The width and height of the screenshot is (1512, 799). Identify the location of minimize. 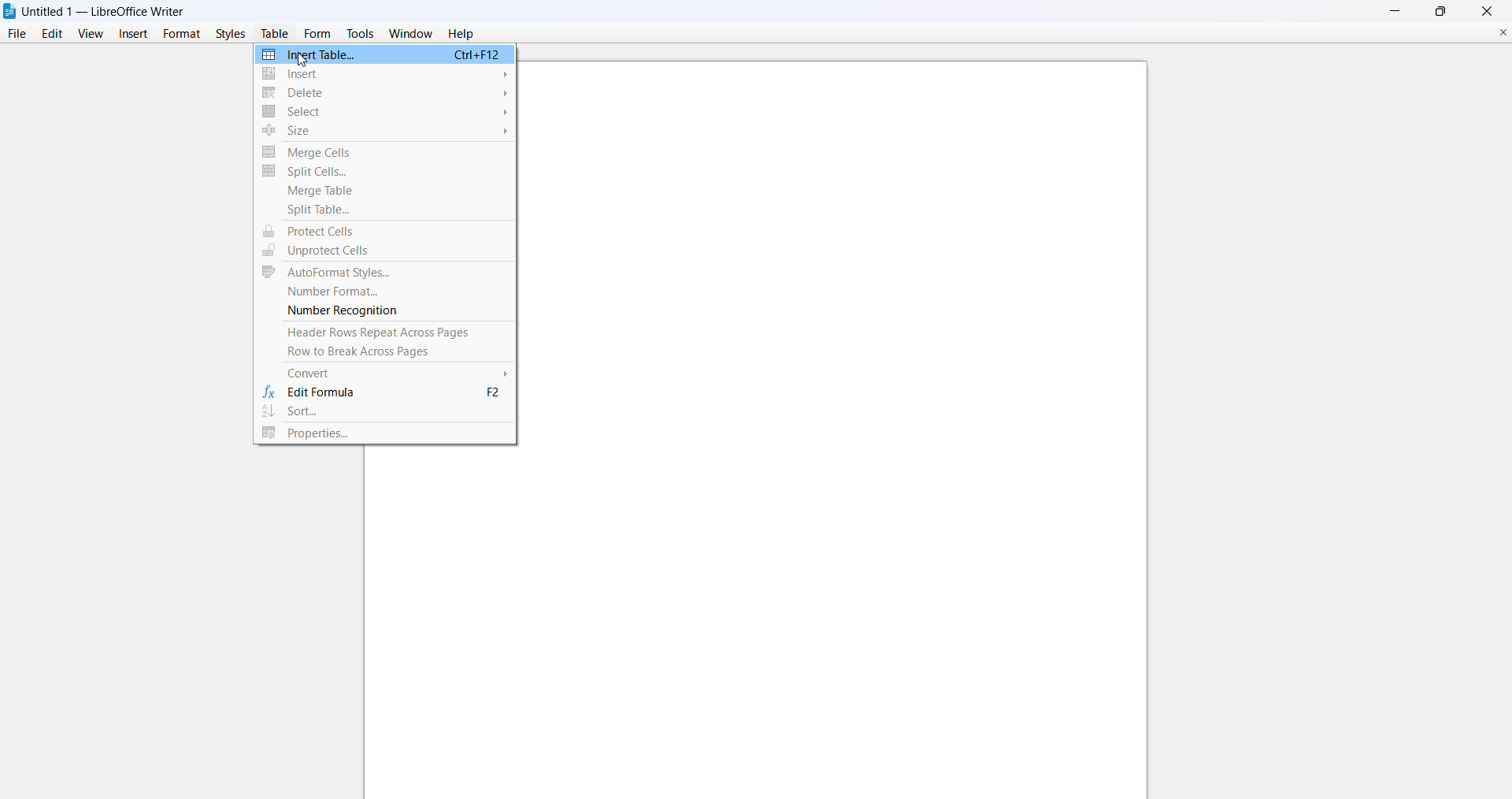
(1391, 10).